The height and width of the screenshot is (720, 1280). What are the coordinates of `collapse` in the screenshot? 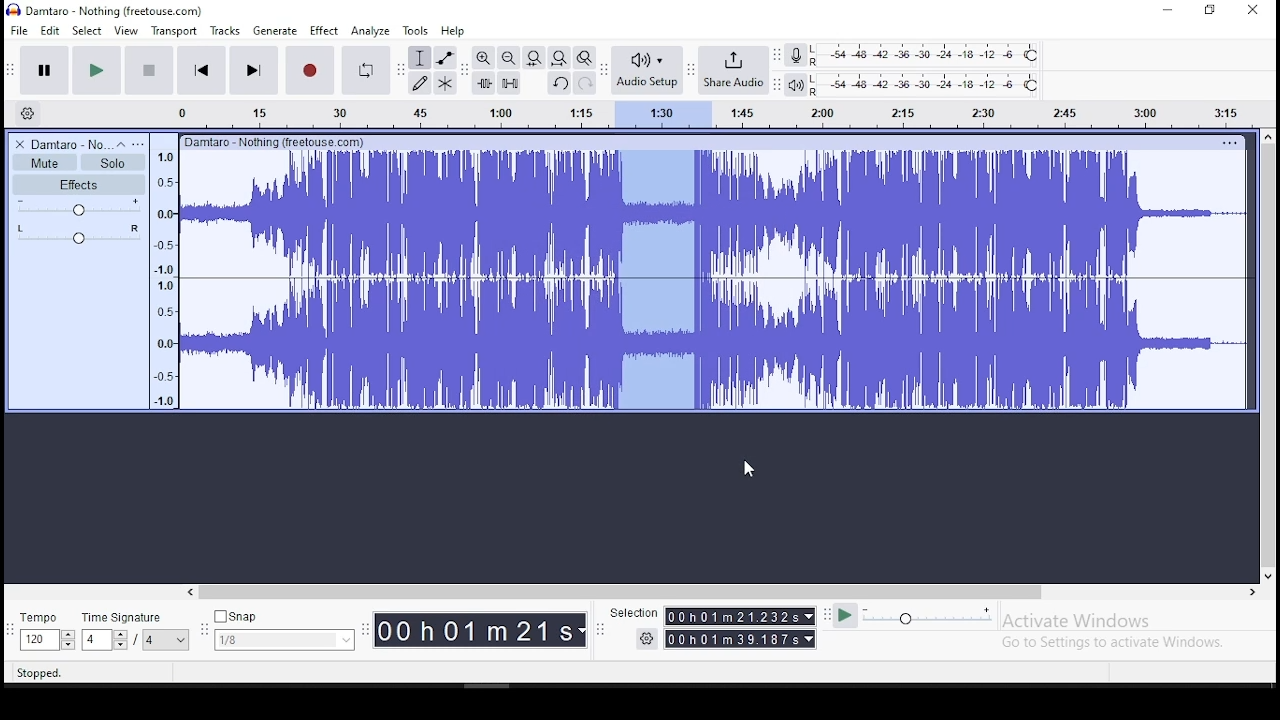 It's located at (120, 144).